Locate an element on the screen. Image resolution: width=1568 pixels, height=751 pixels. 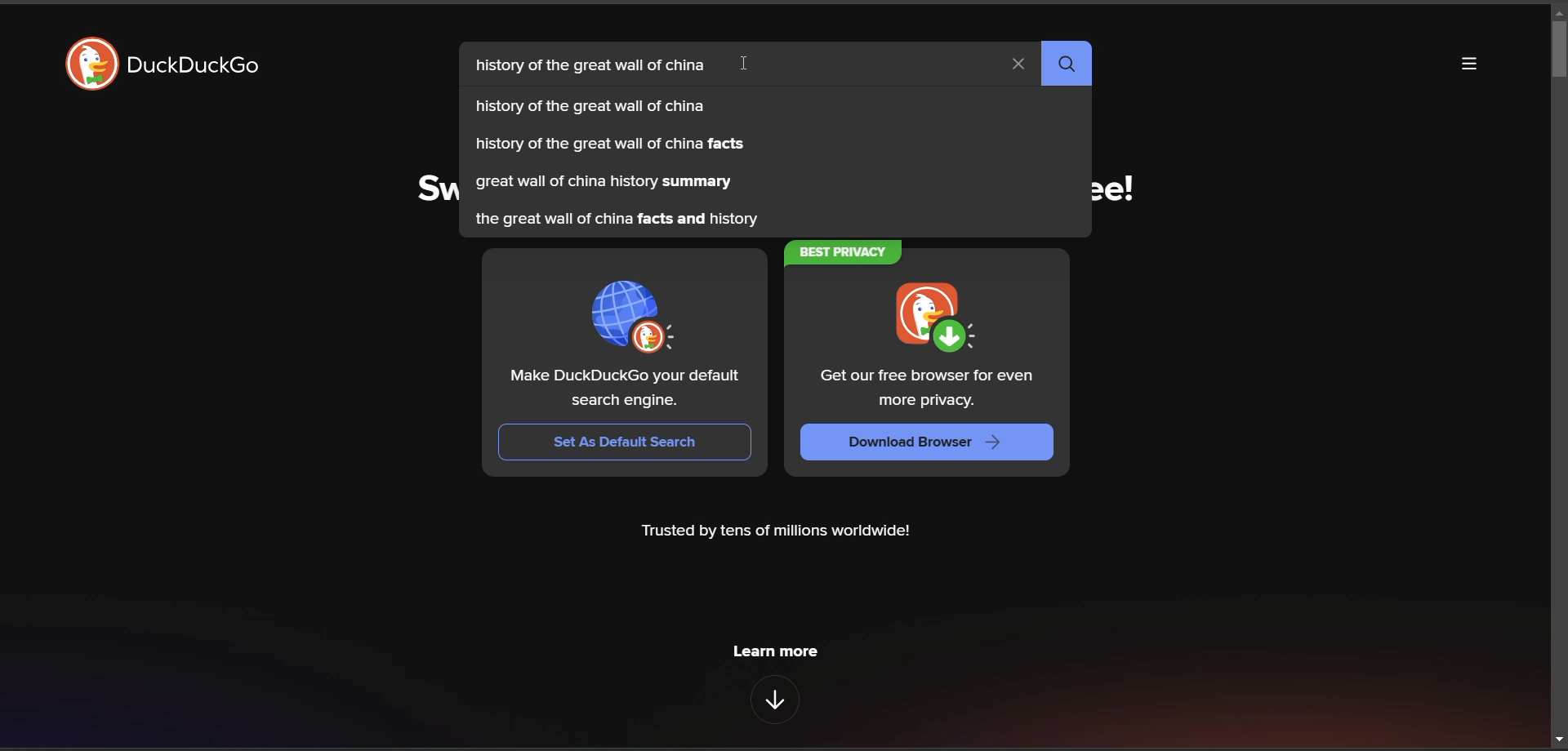
Set As Default Search is located at coordinates (626, 441).